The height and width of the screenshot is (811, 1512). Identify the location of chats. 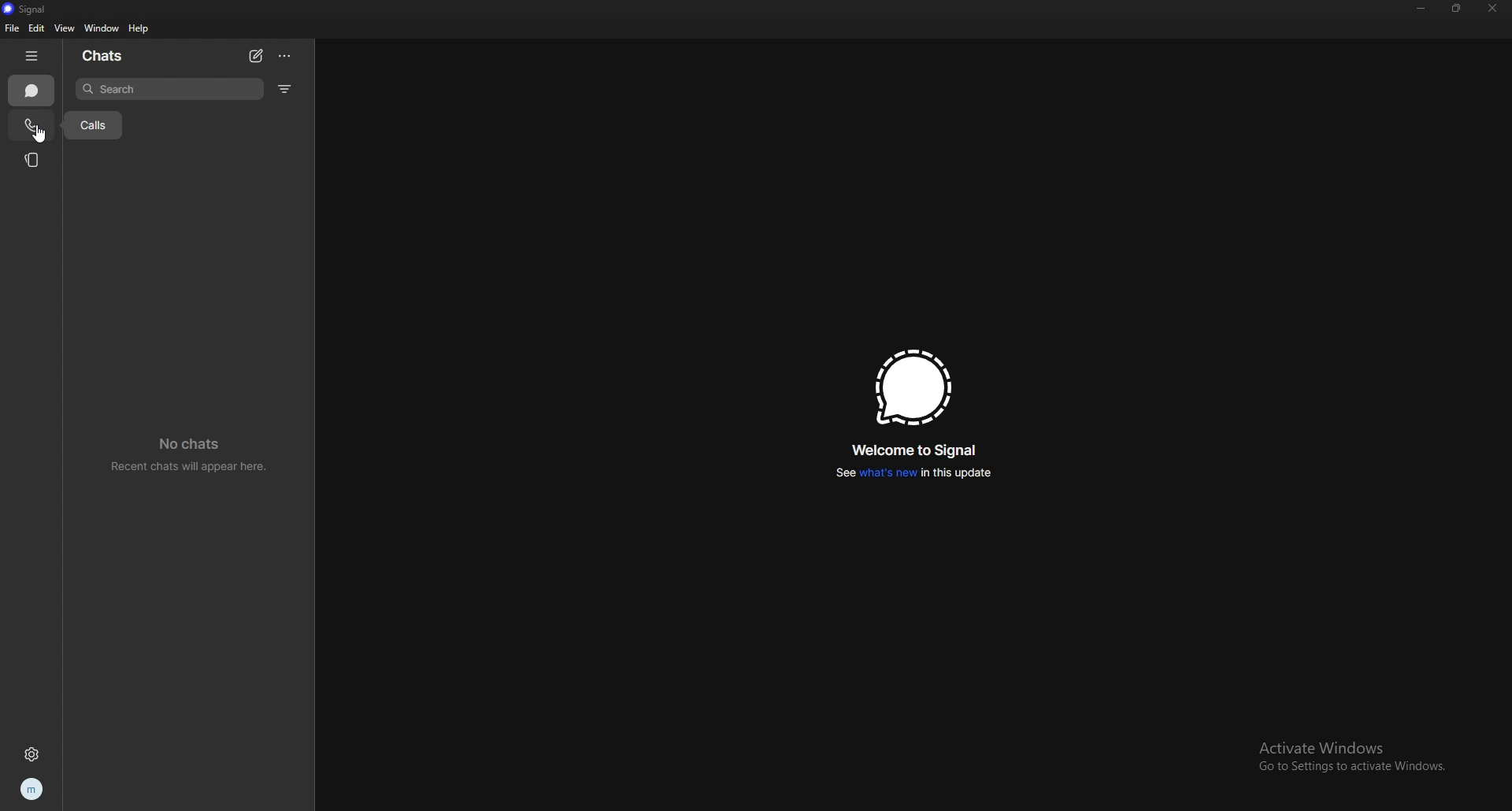
(112, 54).